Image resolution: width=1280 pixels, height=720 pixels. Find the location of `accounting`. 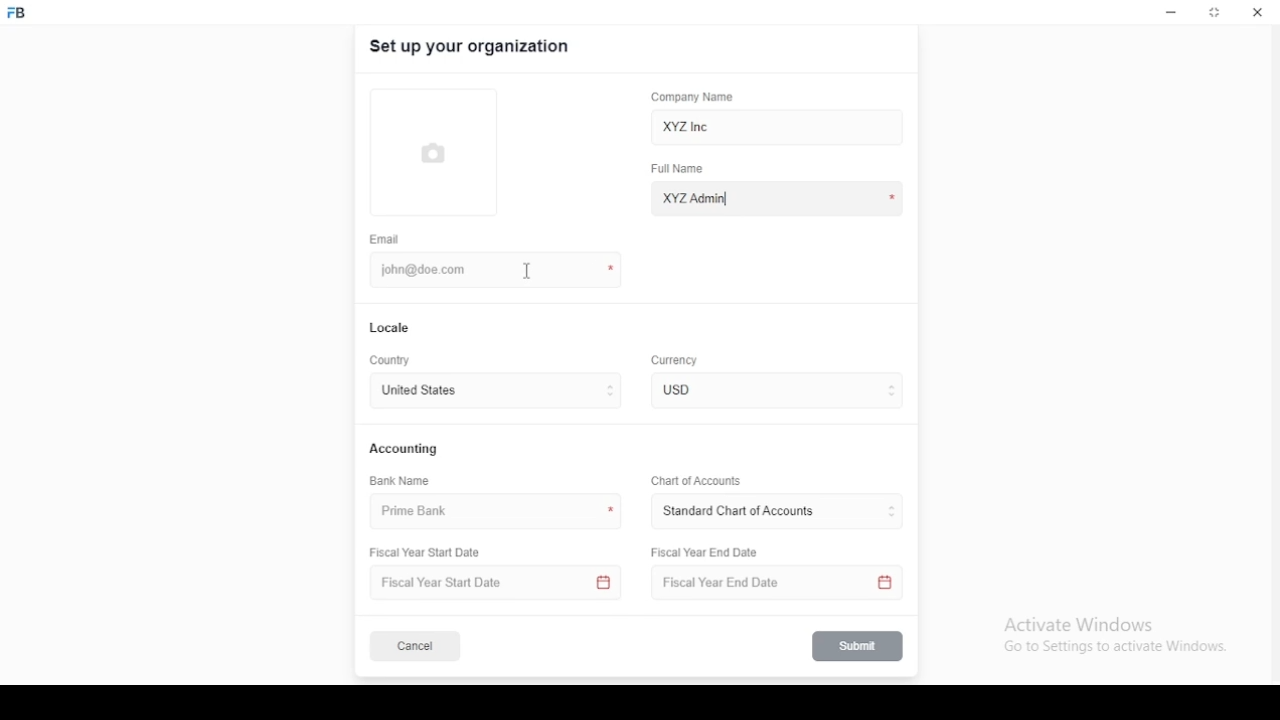

accounting is located at coordinates (405, 448).